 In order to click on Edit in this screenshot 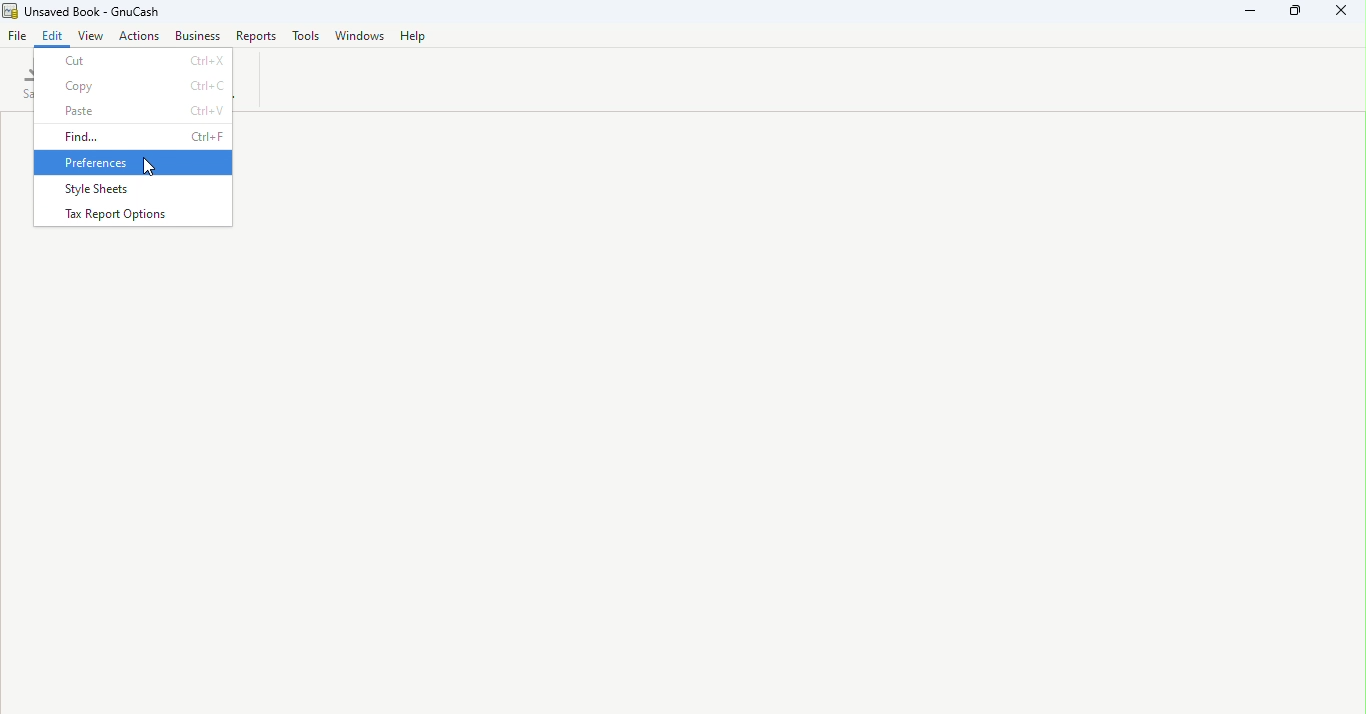, I will do `click(56, 35)`.